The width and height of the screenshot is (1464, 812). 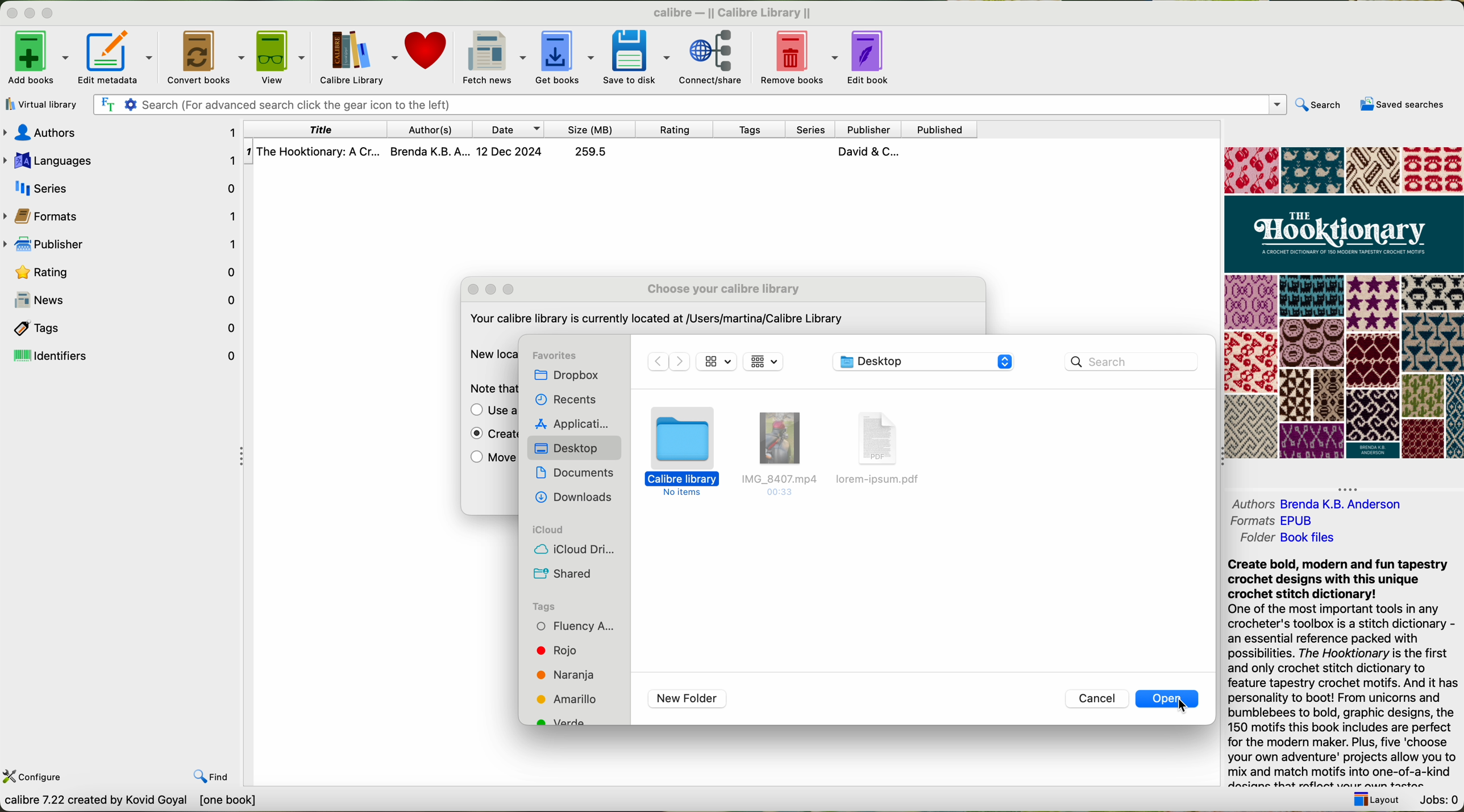 What do you see at coordinates (554, 355) in the screenshot?
I see `favorites` at bounding box center [554, 355].